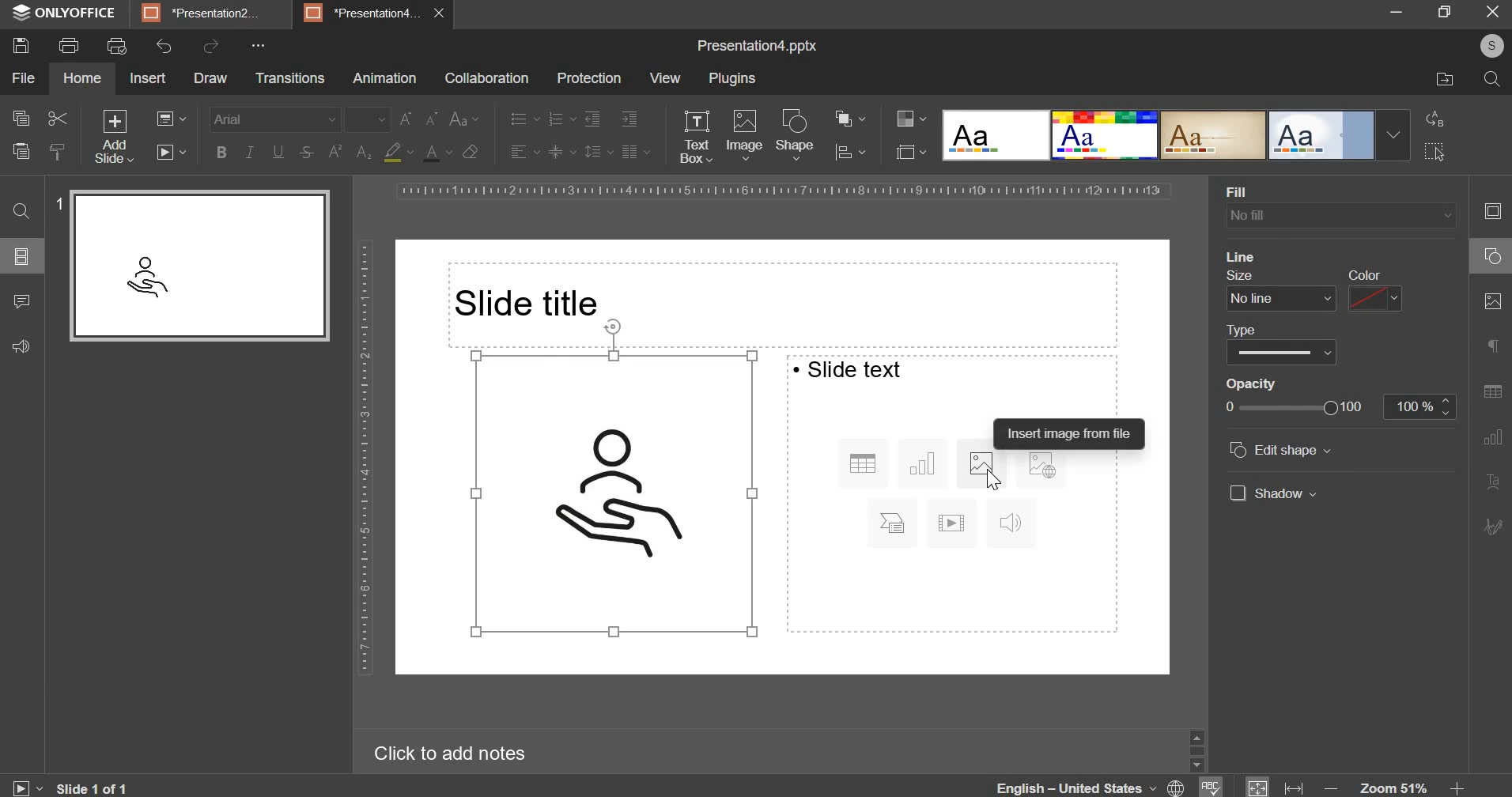 The width and height of the screenshot is (1512, 797). What do you see at coordinates (369, 119) in the screenshot?
I see `font size` at bounding box center [369, 119].